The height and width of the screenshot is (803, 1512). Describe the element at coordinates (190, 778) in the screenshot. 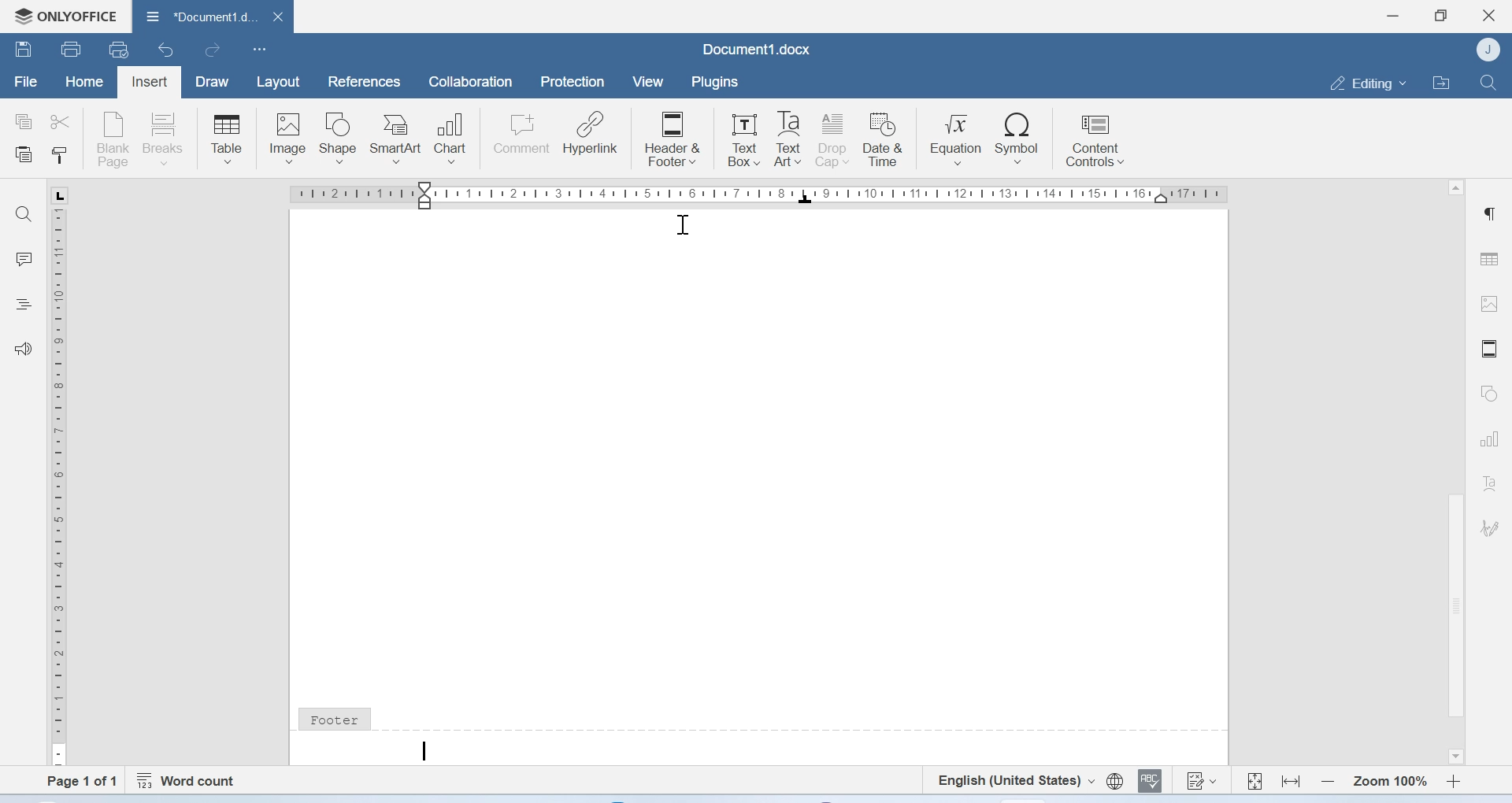

I see `Word count` at that location.